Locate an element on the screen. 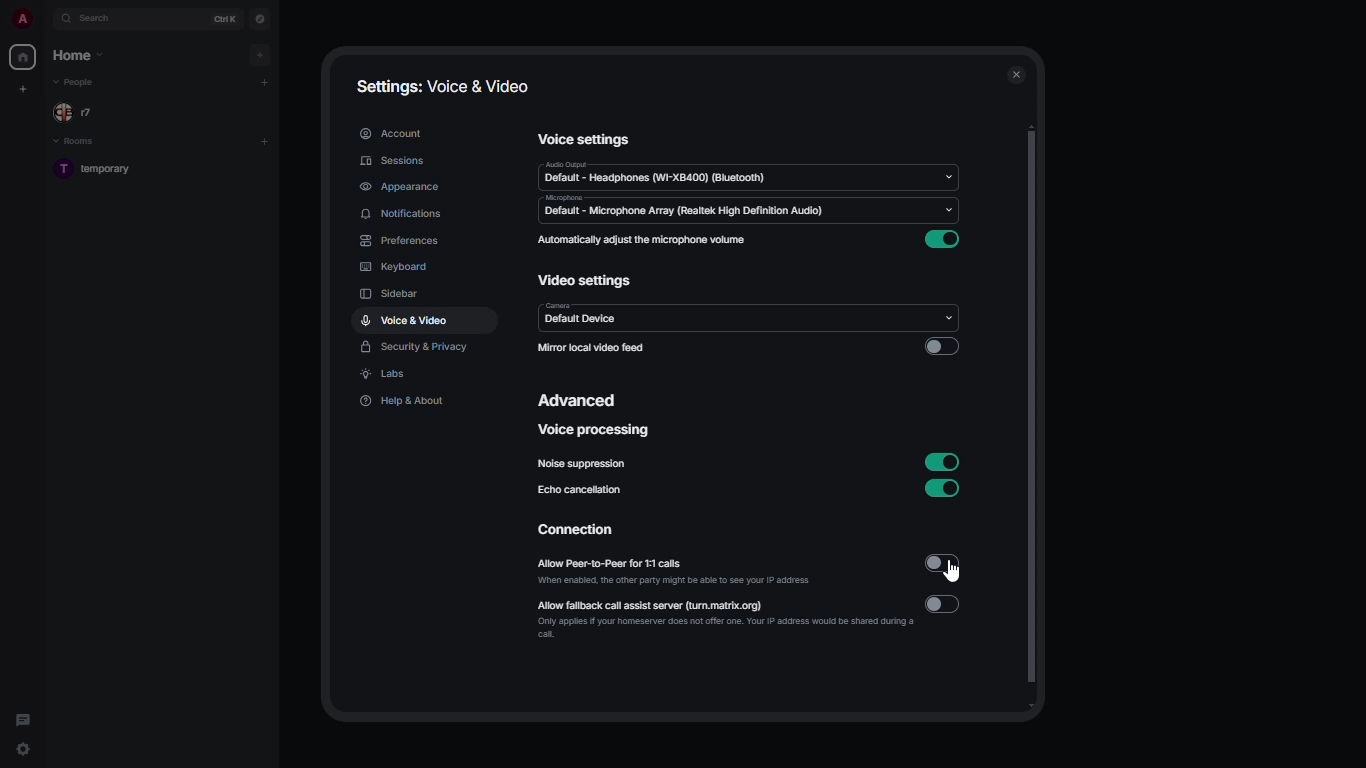  camera default is located at coordinates (585, 315).